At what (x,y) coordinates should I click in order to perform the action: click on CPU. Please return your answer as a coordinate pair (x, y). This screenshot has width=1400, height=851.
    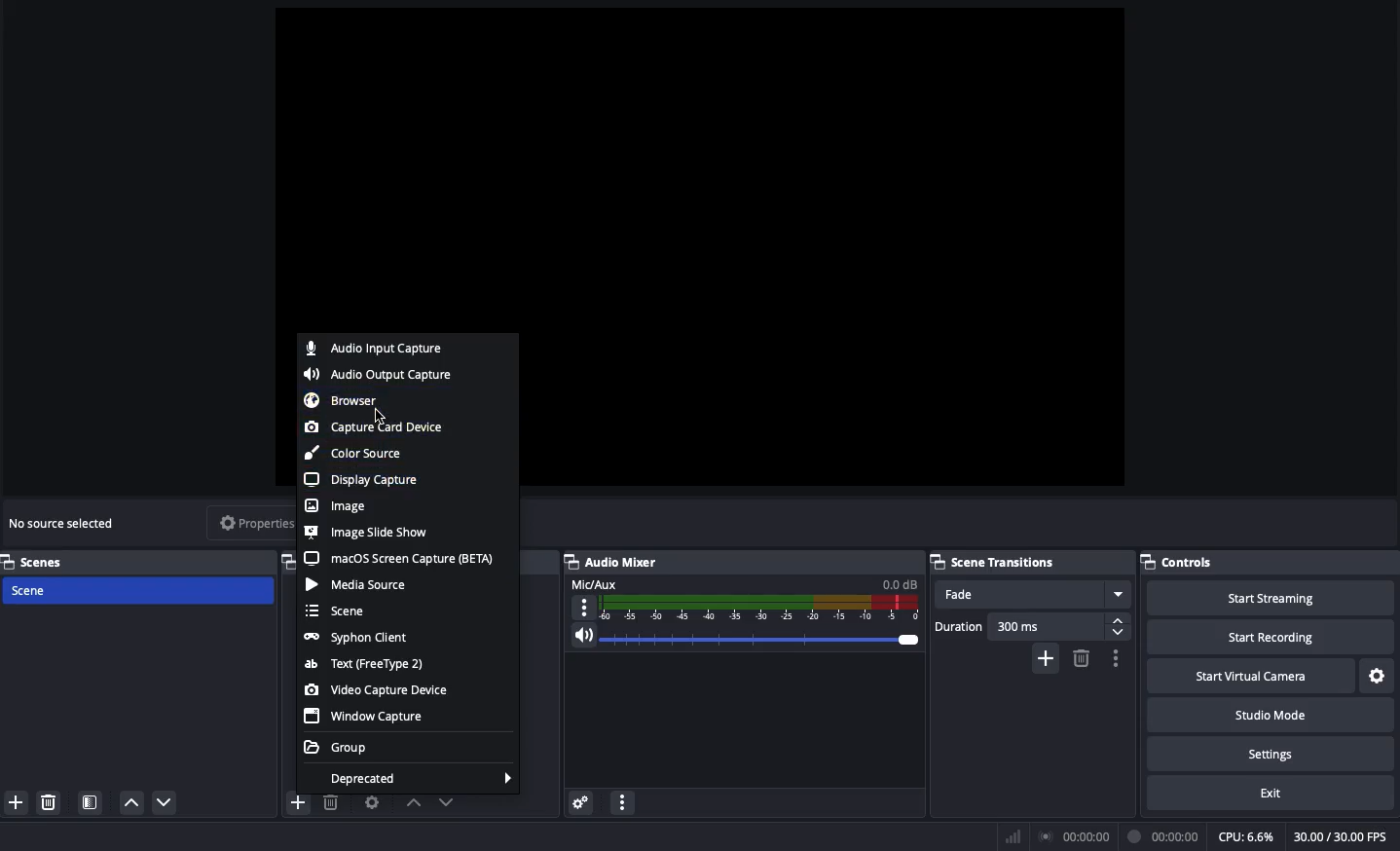
    Looking at the image, I should click on (1248, 836).